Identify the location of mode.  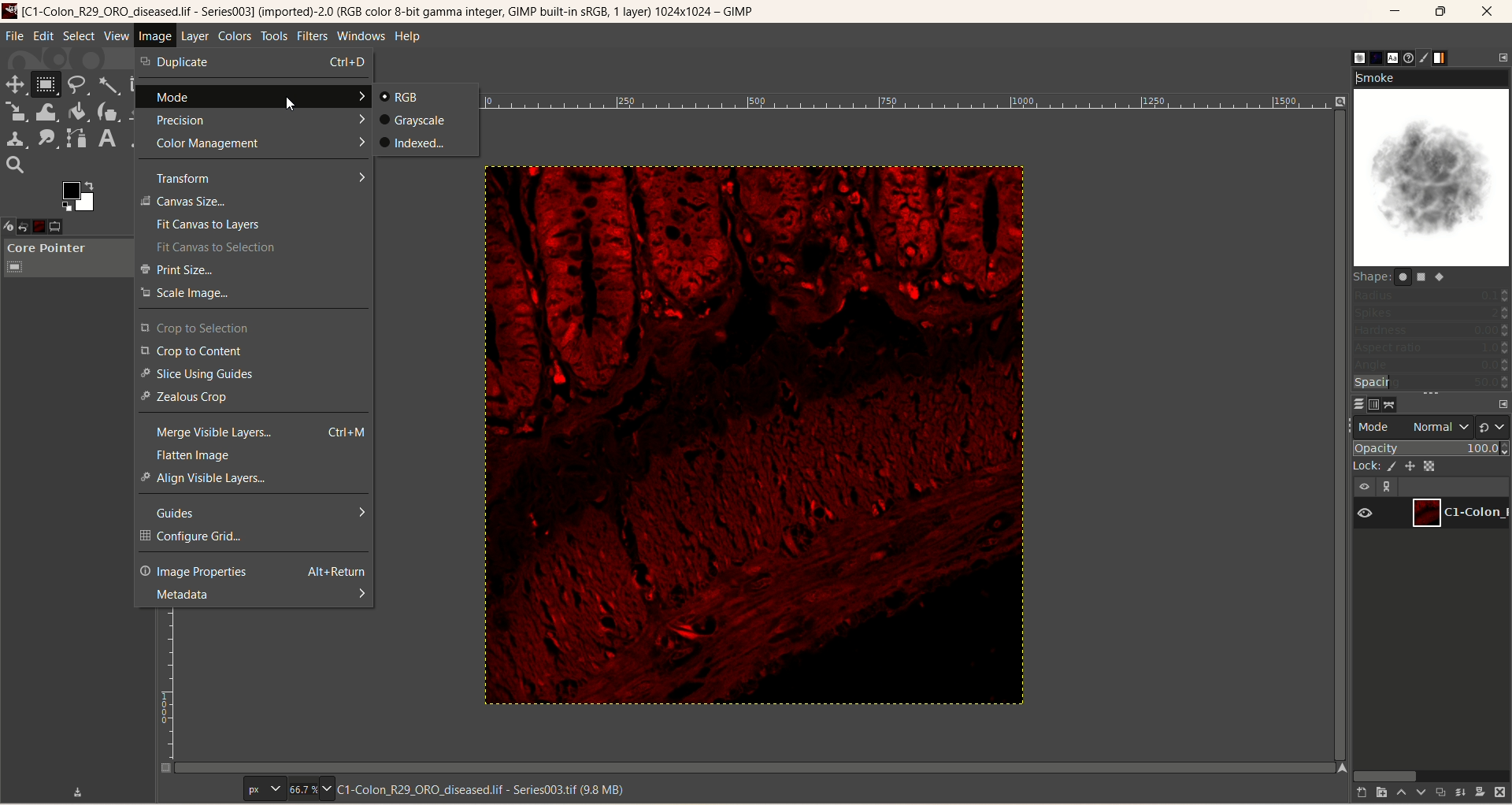
(1375, 426).